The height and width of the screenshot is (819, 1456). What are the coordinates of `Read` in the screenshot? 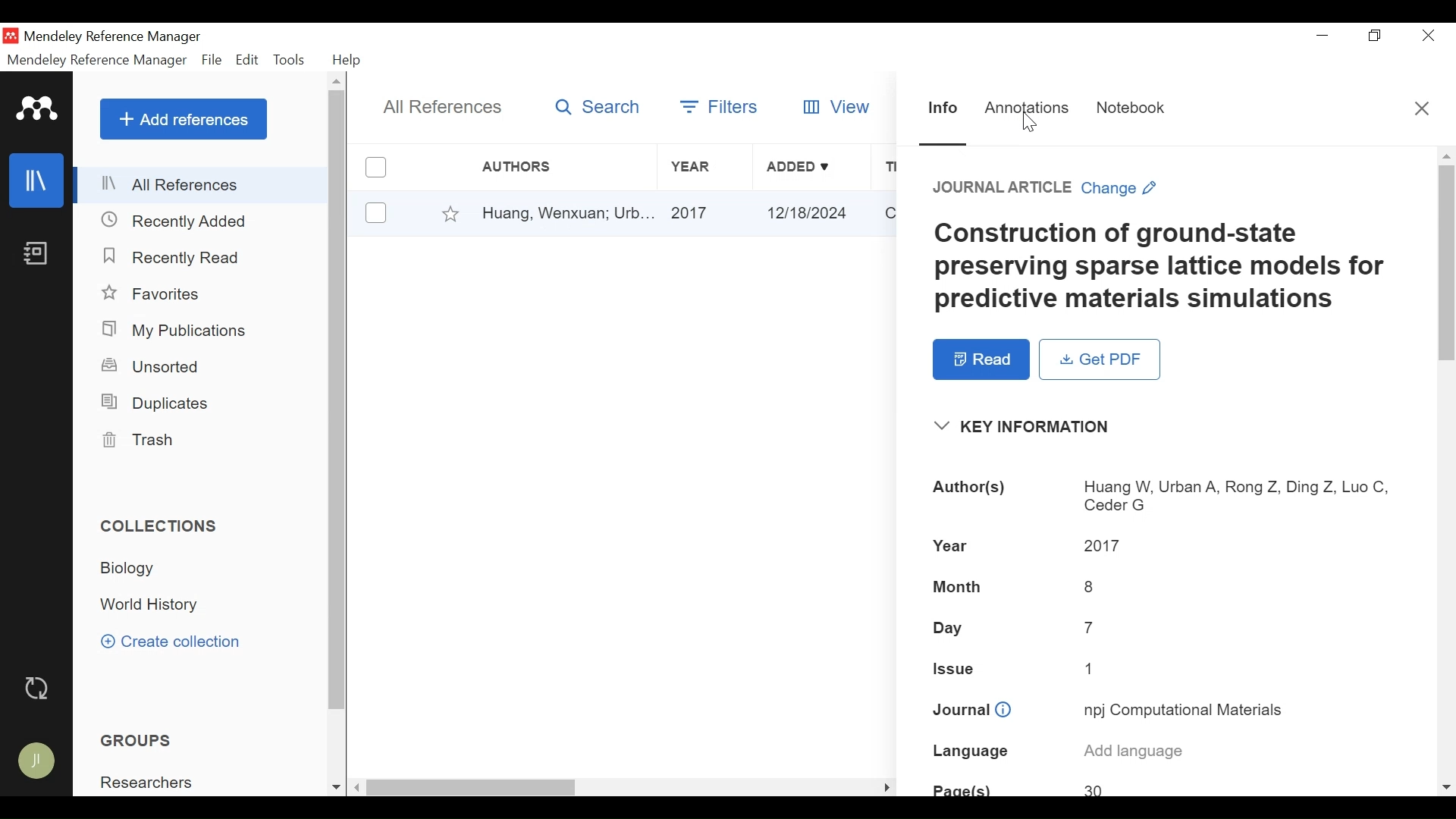 It's located at (980, 359).